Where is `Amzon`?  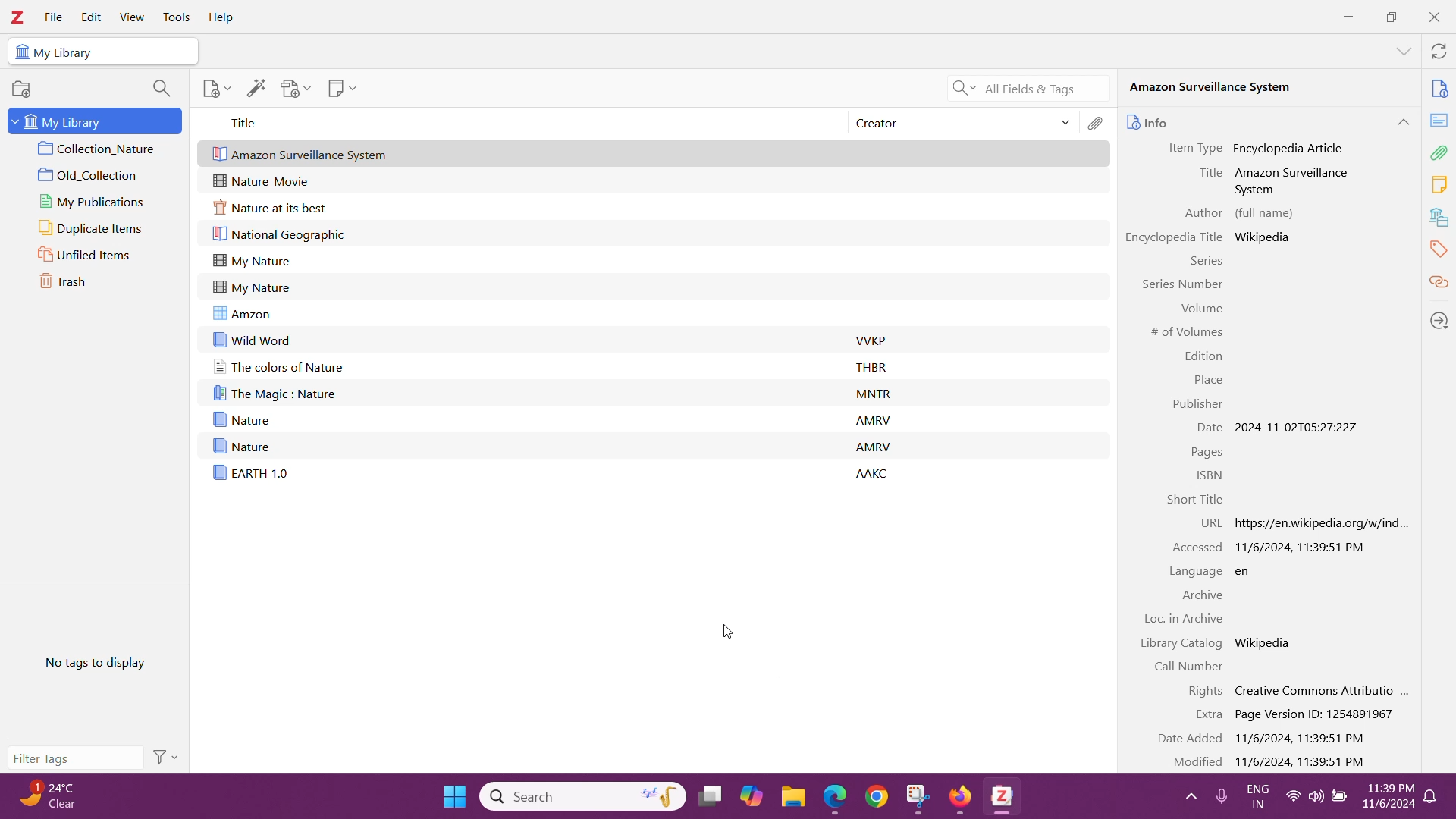
Amzon is located at coordinates (243, 312).